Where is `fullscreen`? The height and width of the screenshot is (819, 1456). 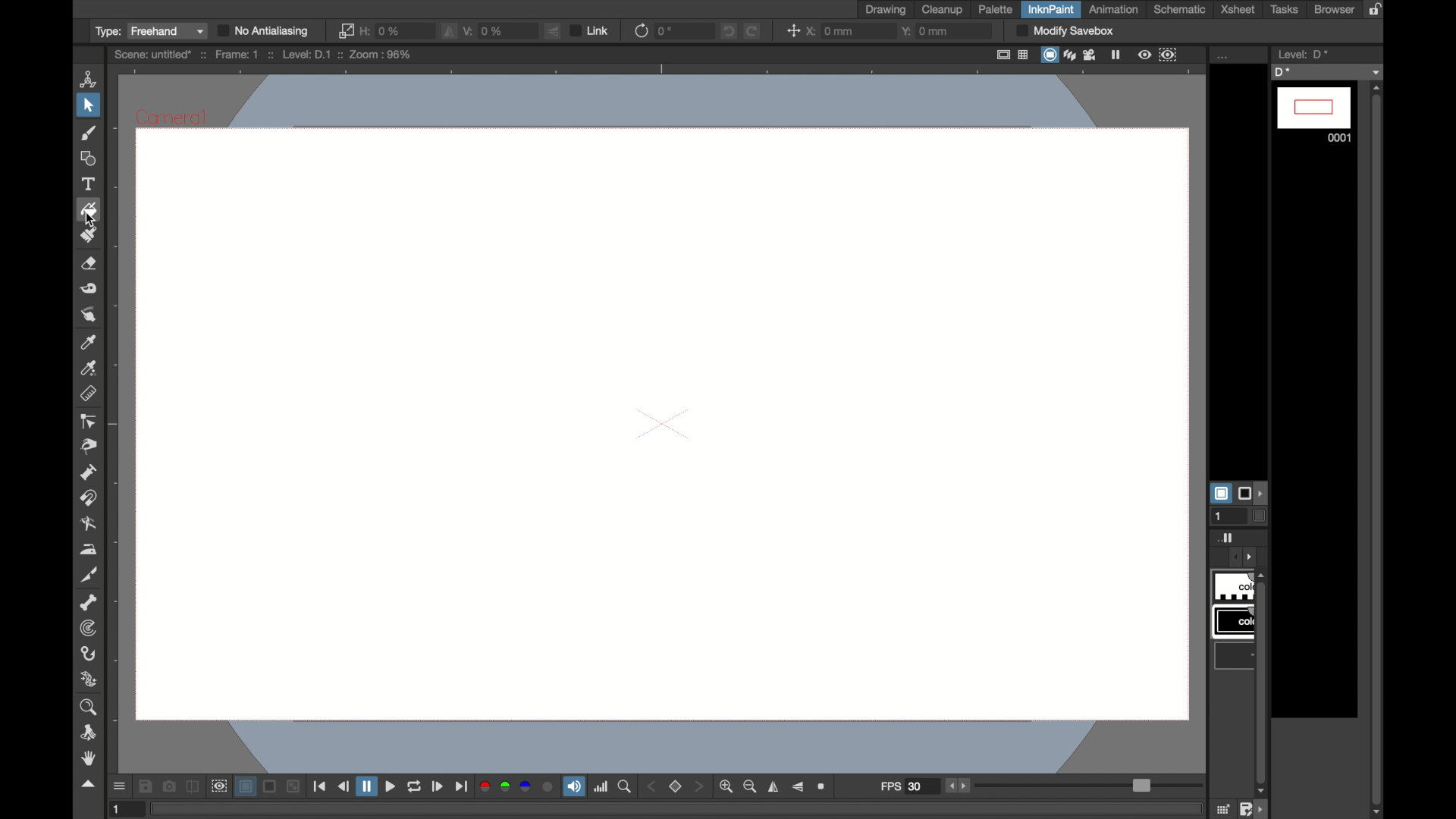
fullscreen is located at coordinates (1005, 54).